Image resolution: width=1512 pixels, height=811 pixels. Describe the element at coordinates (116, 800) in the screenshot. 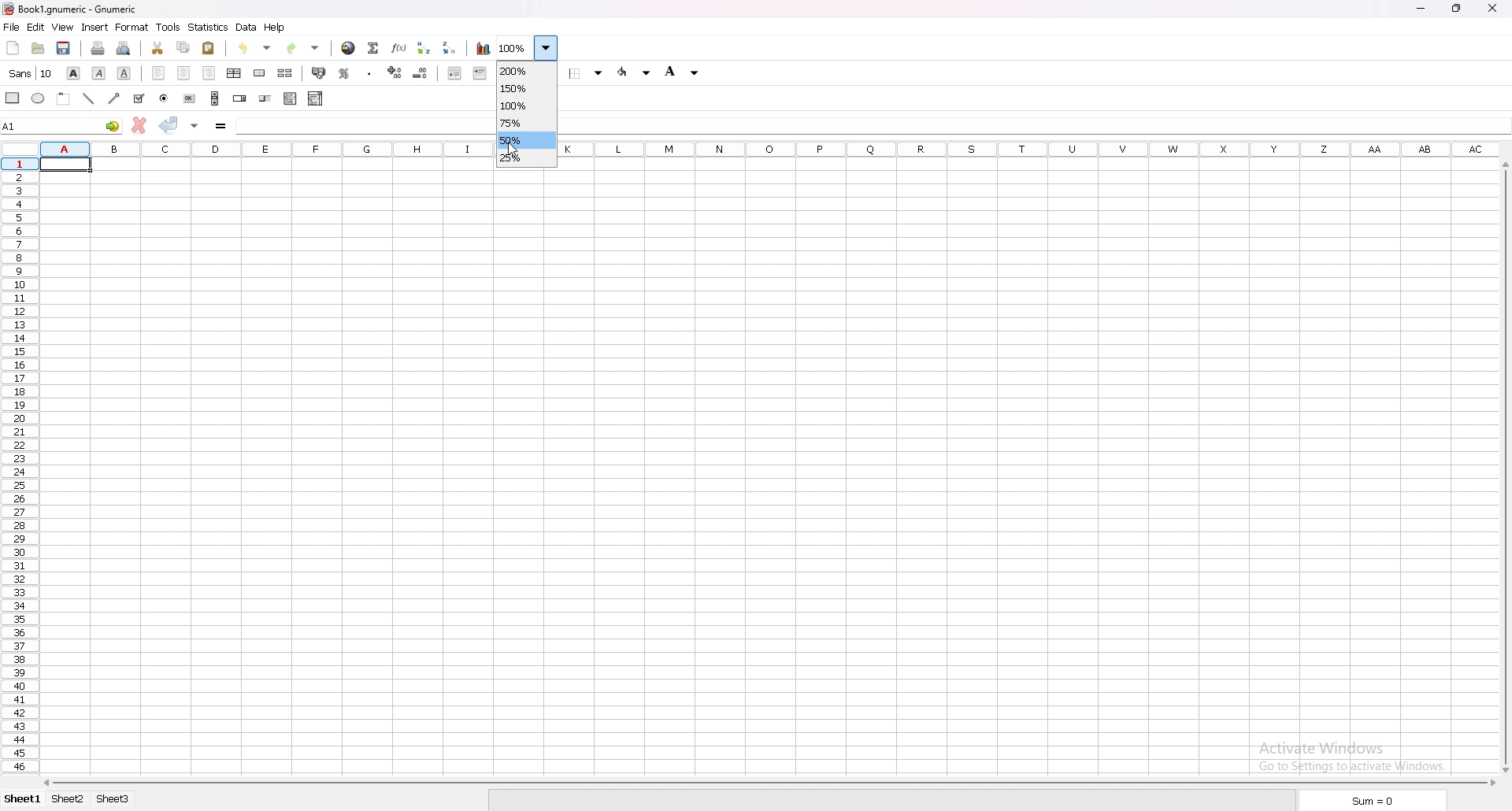

I see `Sheet 3` at that location.